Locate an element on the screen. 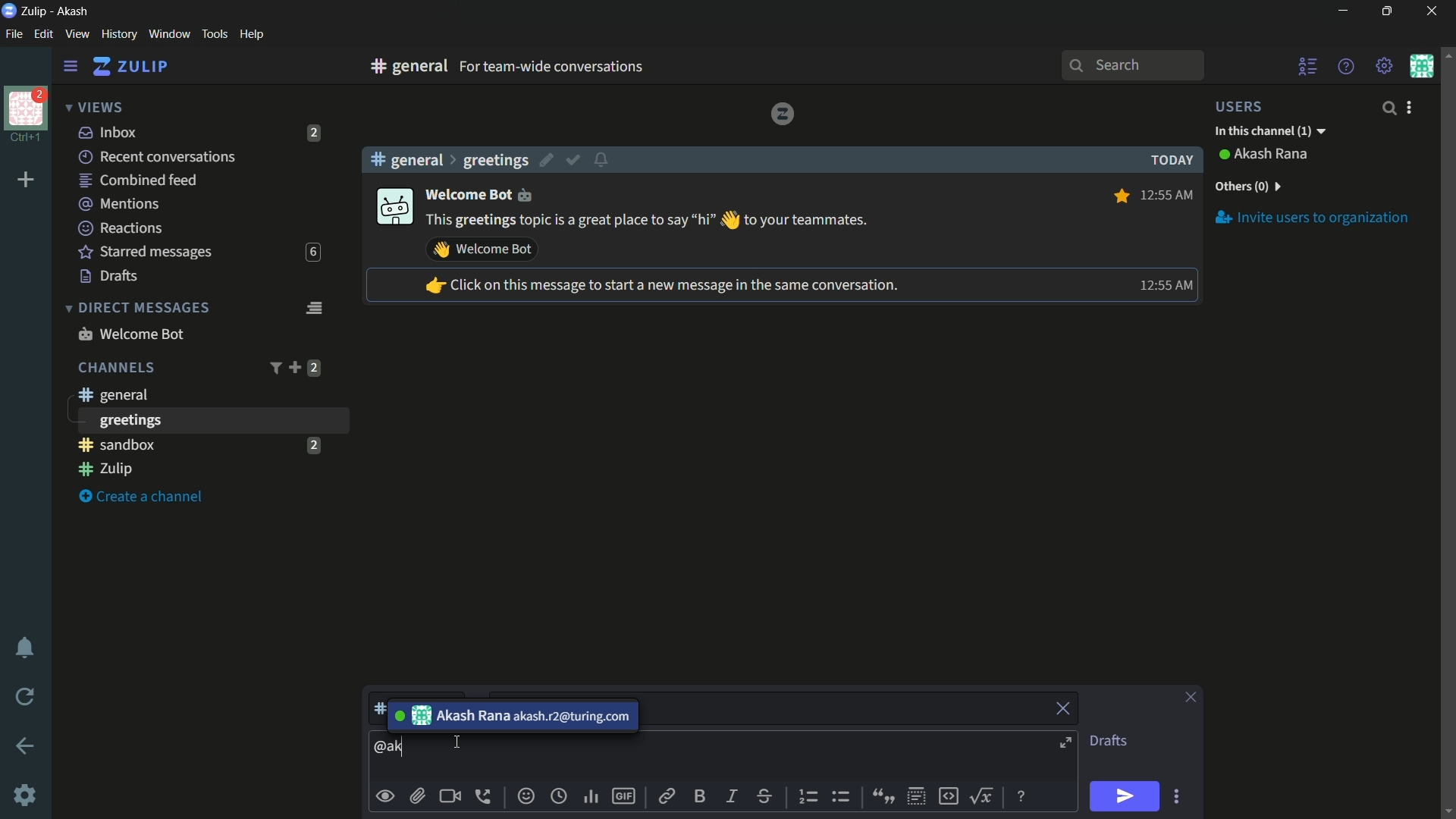 The image size is (1456, 819). bold is located at coordinates (701, 795).